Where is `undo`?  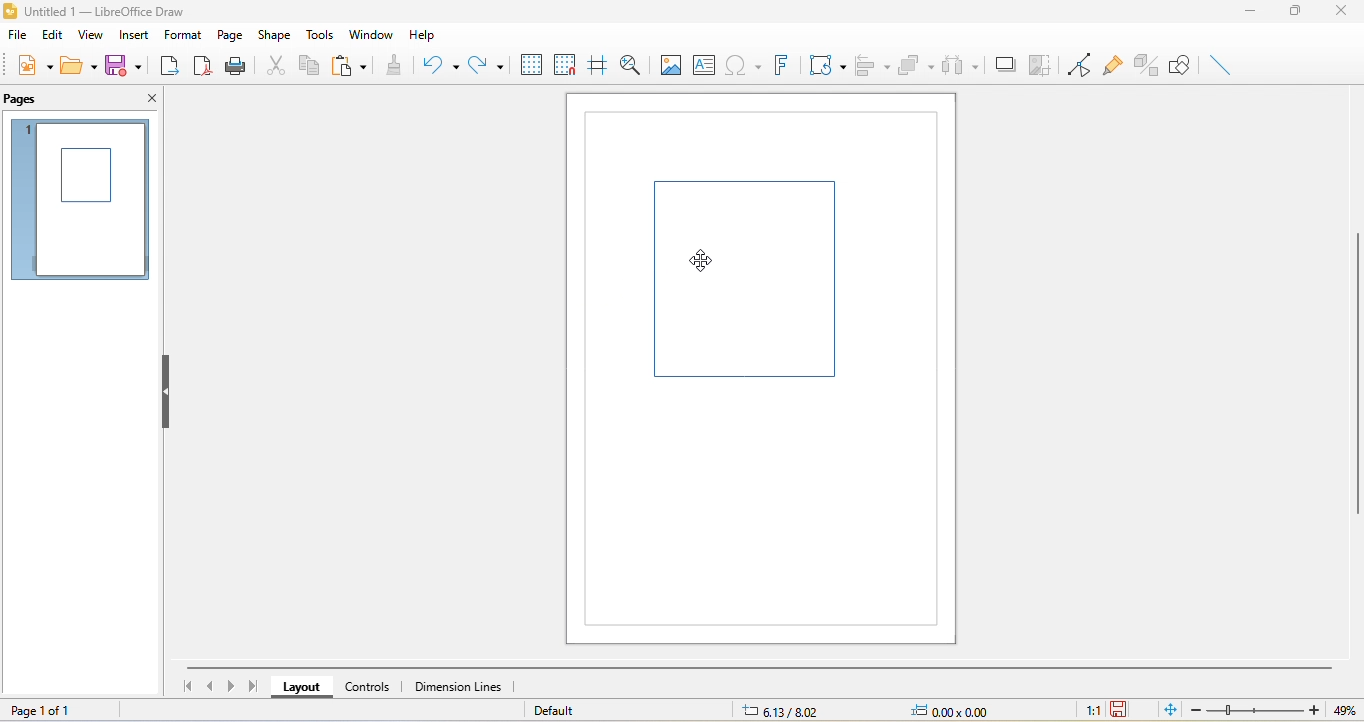
undo is located at coordinates (442, 65).